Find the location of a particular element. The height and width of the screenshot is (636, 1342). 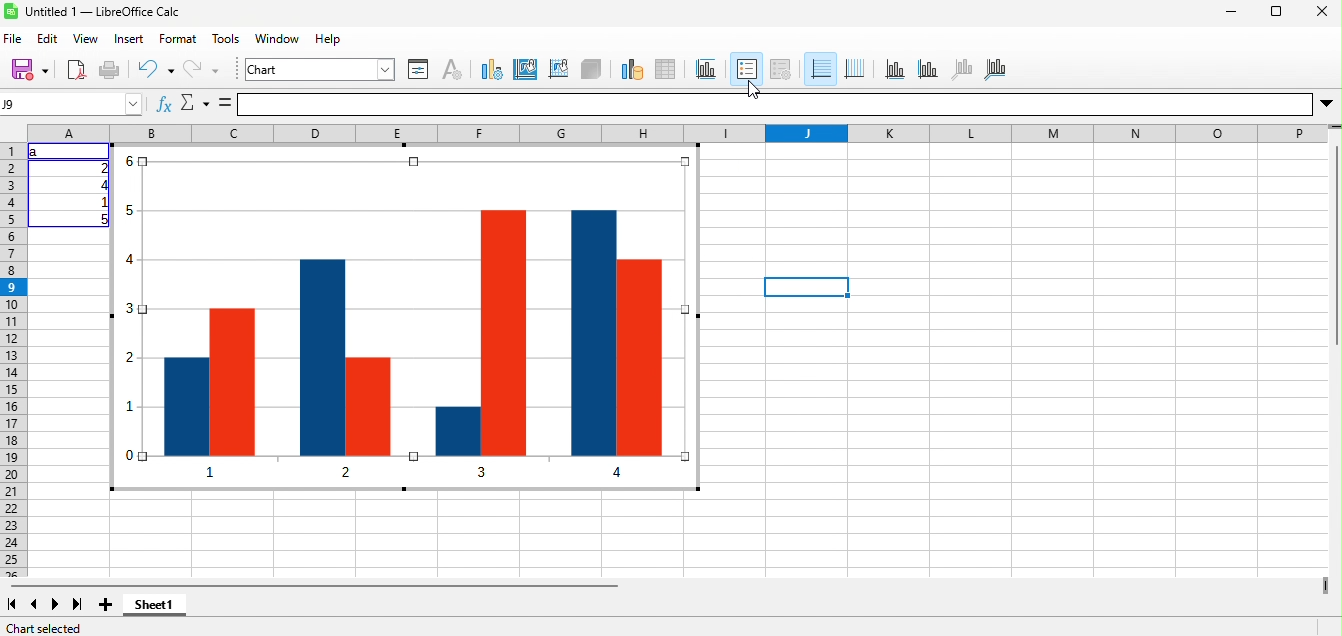

redo is located at coordinates (204, 71).